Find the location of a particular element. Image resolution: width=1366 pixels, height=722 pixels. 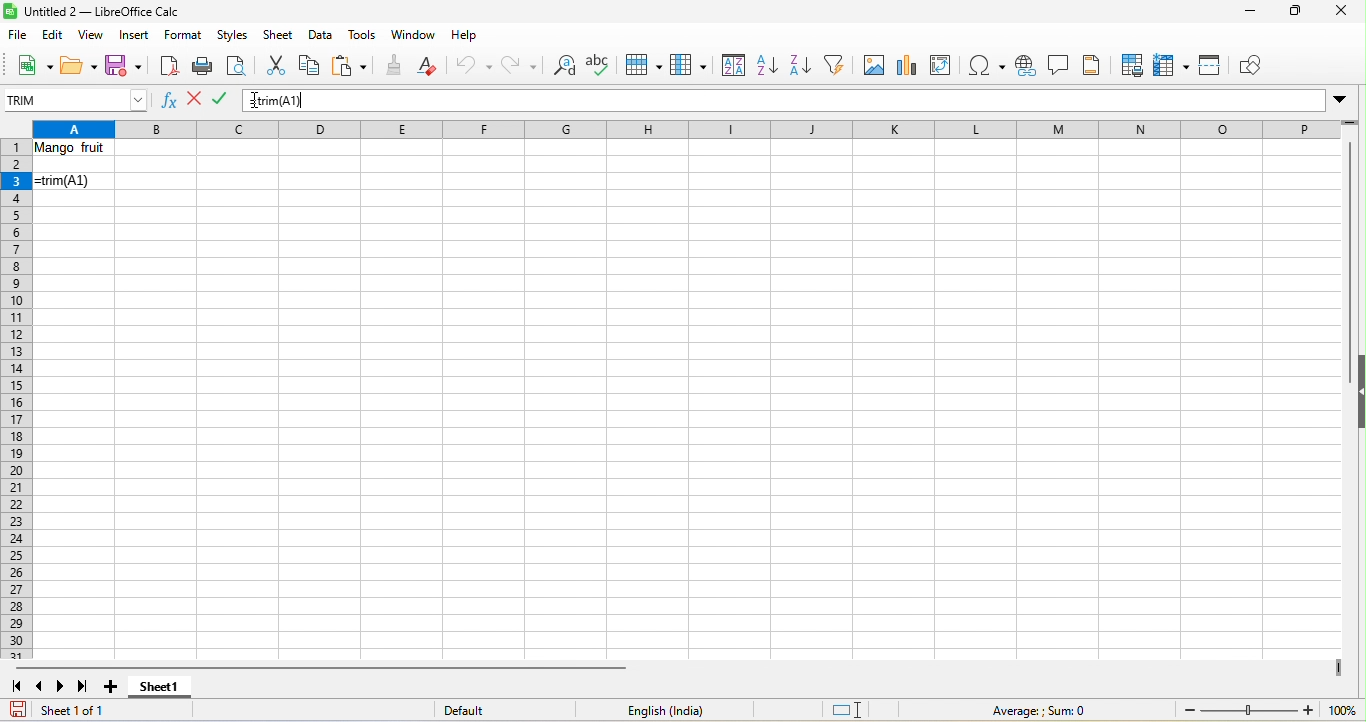

mango fruit : text having double space is located at coordinates (77, 151).